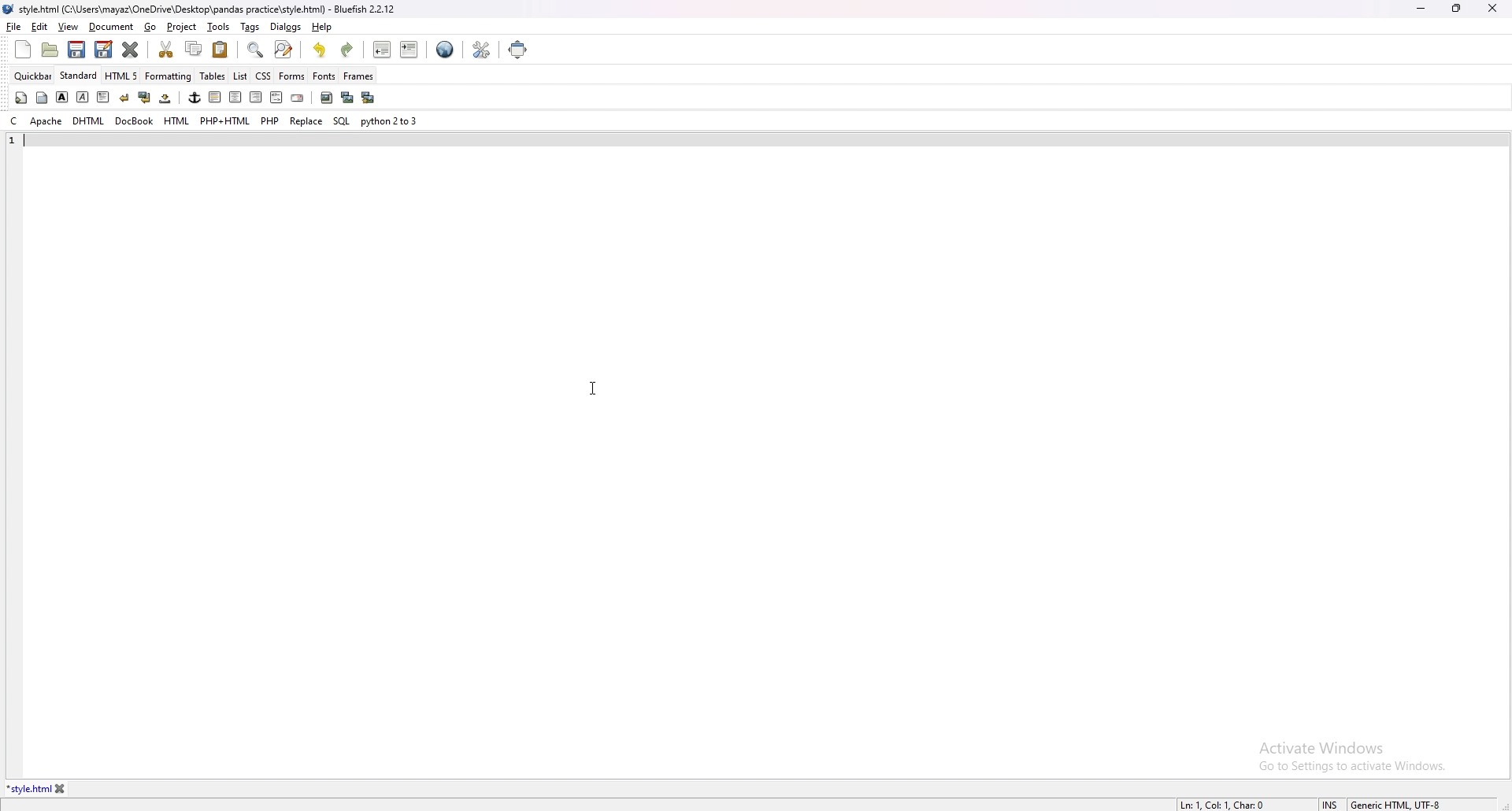 The height and width of the screenshot is (811, 1512). I want to click on cursor, so click(594, 387).